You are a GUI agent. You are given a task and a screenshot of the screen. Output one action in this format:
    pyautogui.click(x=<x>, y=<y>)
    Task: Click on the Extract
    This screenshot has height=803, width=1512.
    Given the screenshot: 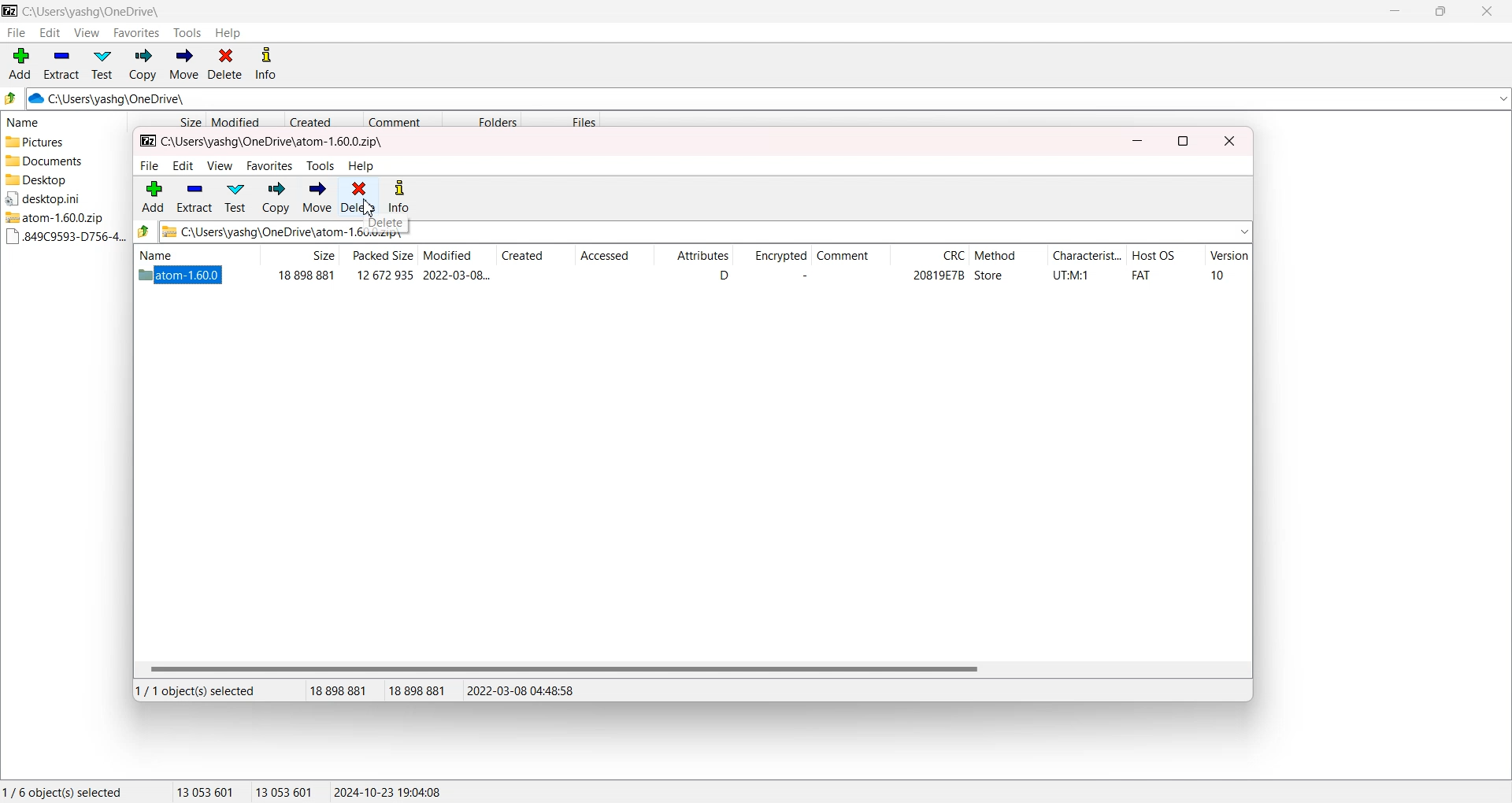 What is the action you would take?
    pyautogui.click(x=61, y=64)
    